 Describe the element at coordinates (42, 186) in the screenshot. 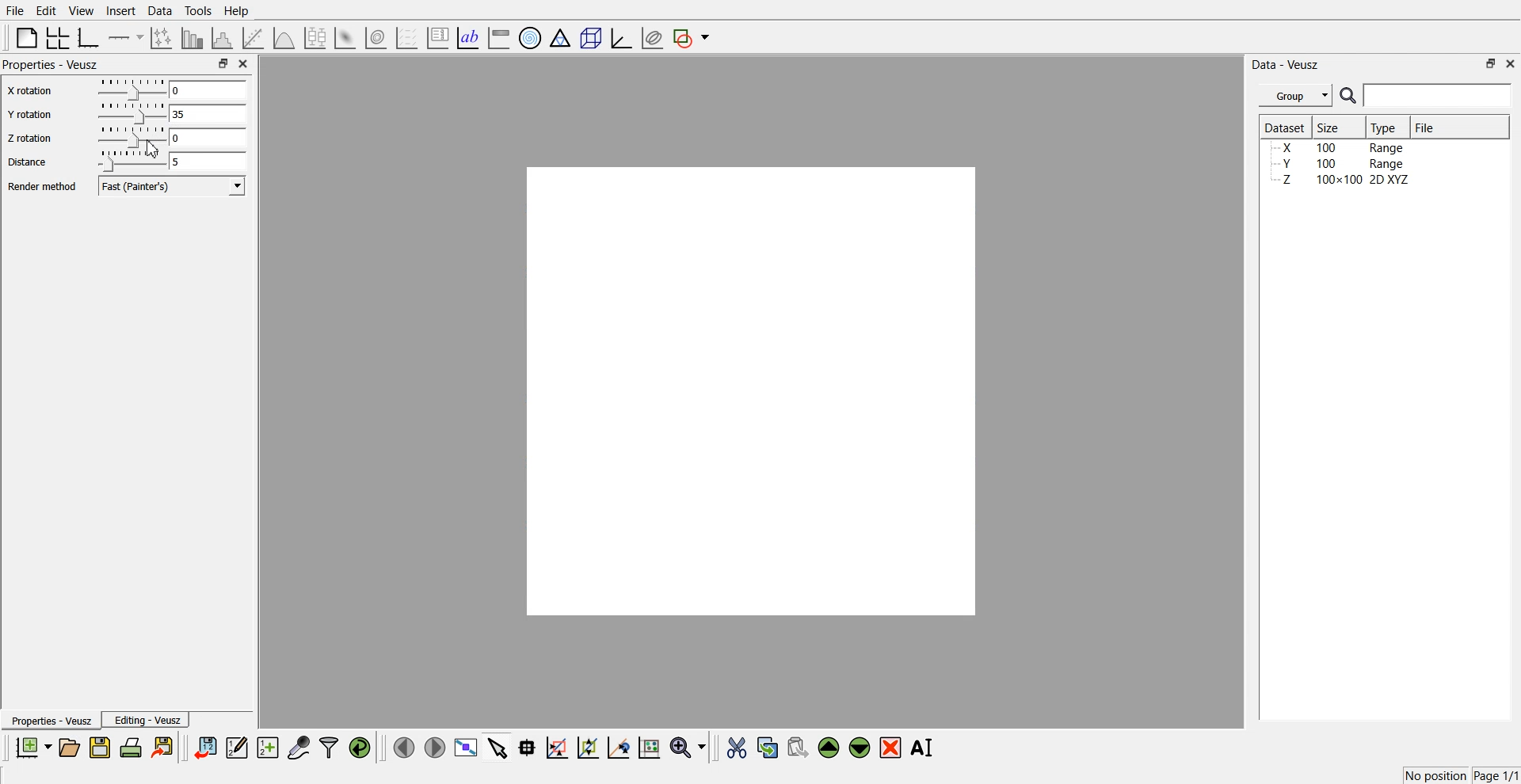

I see `Render method` at that location.